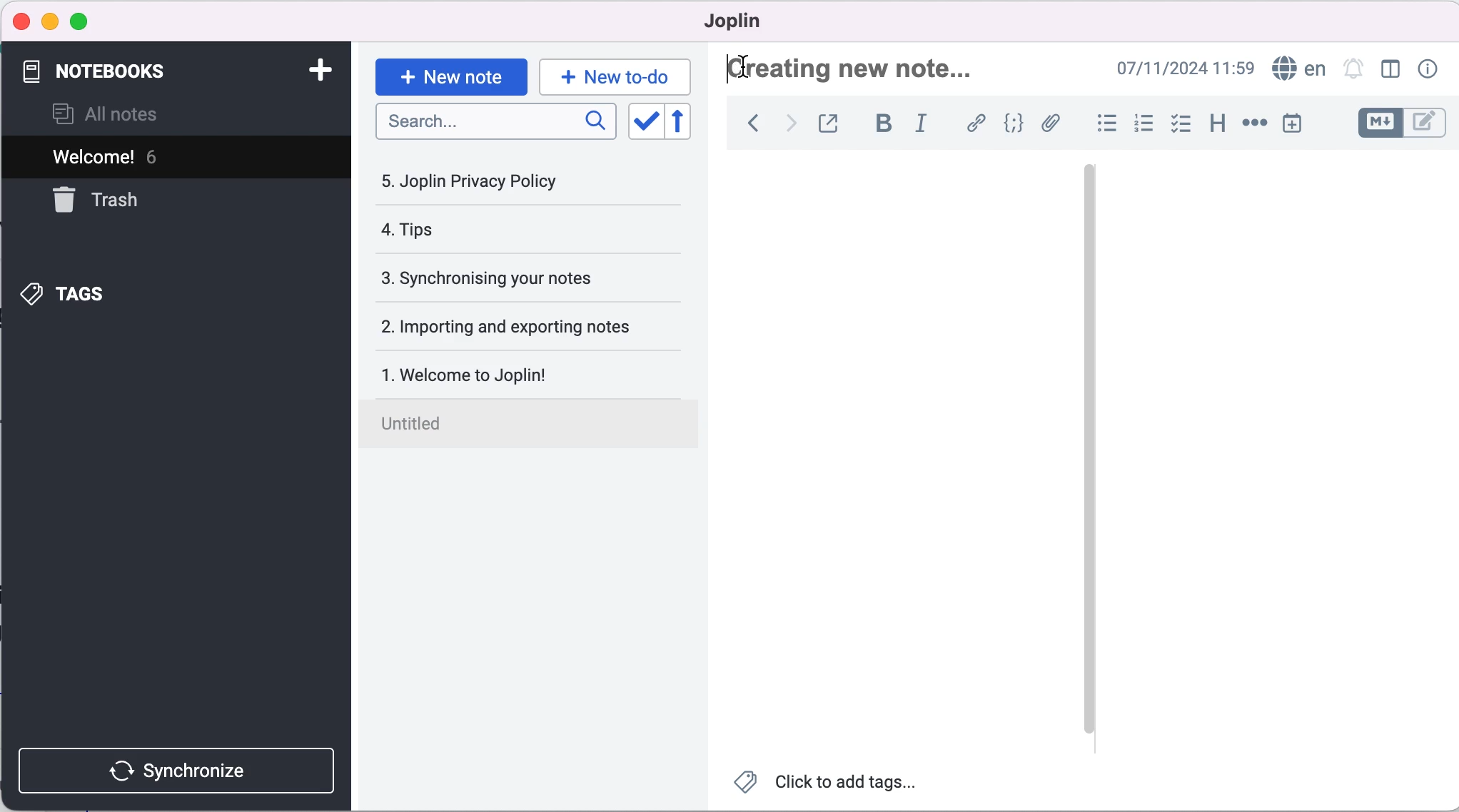  I want to click on synchronize, so click(175, 768).